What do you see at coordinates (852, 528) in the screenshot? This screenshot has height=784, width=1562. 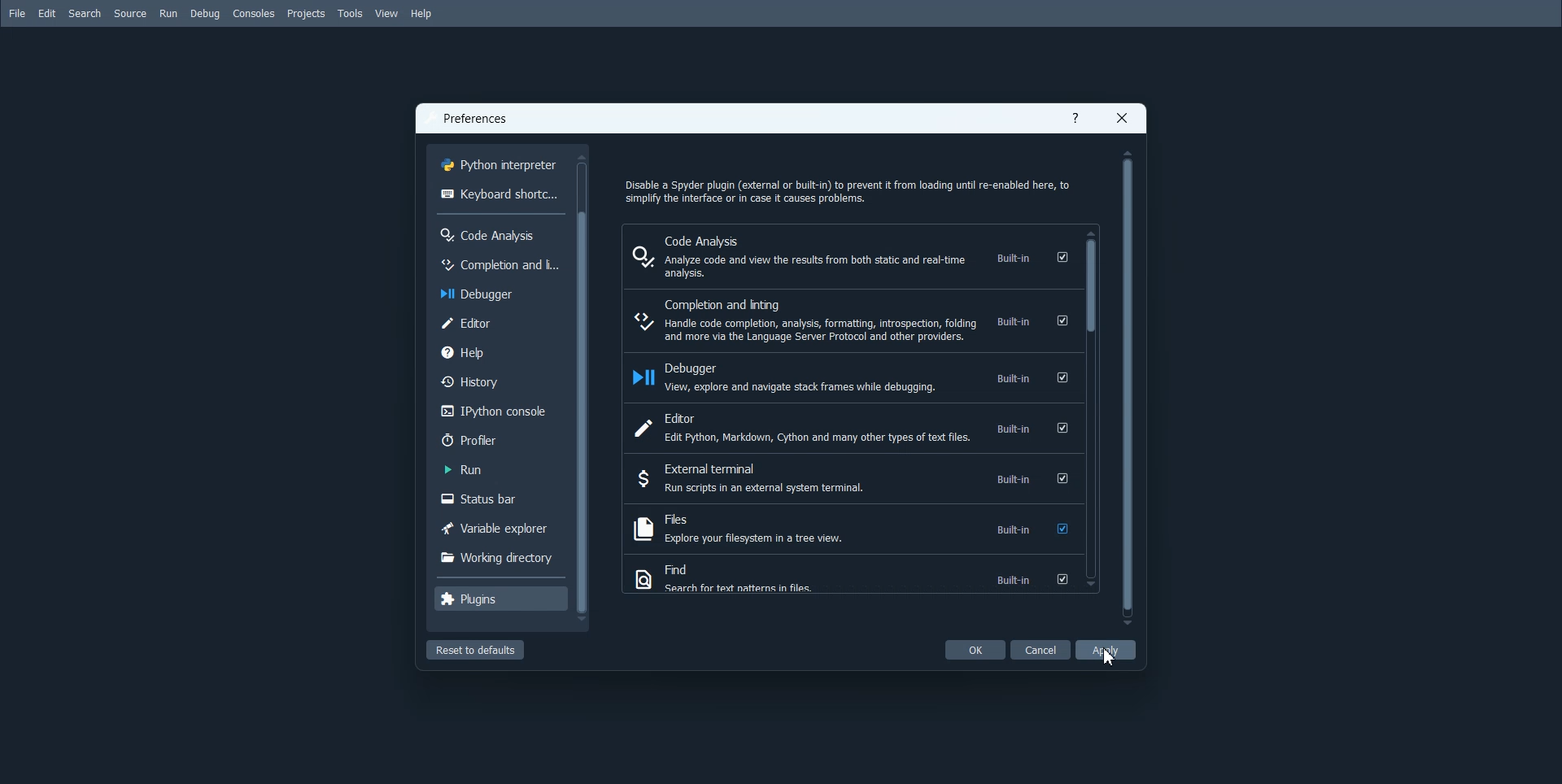 I see `Files` at bounding box center [852, 528].